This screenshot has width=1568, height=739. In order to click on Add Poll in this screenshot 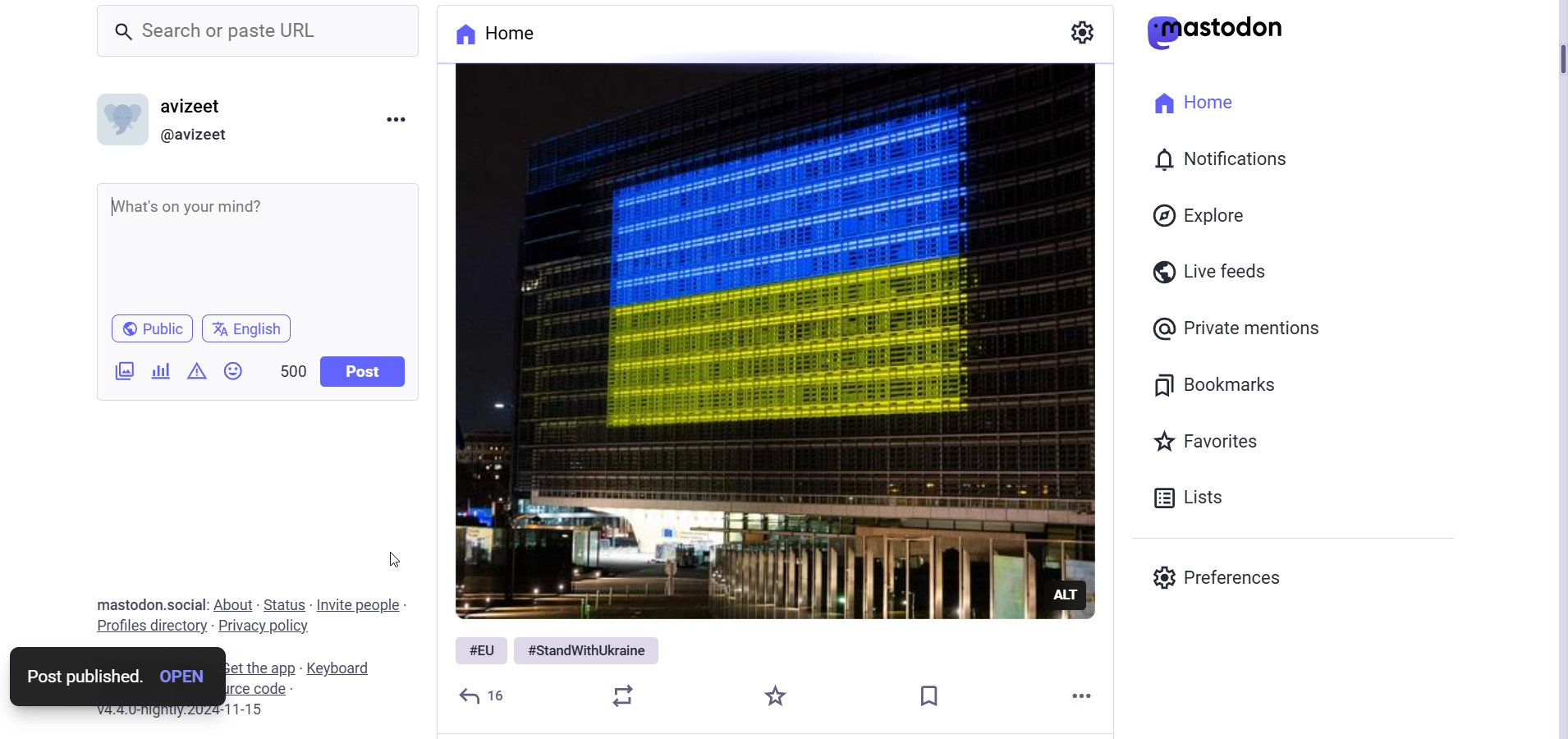, I will do `click(164, 369)`.